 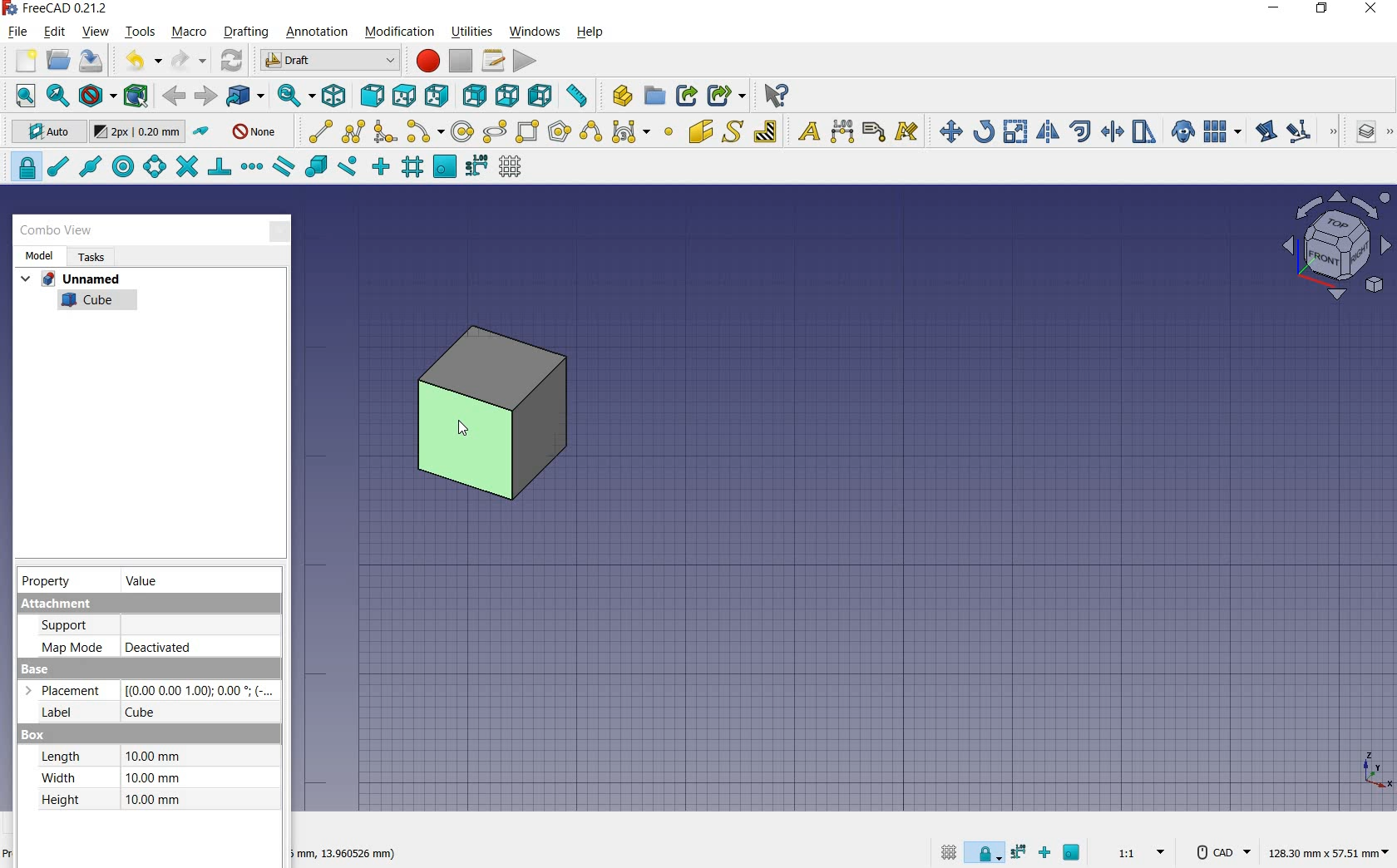 I want to click on drafting, so click(x=246, y=32).